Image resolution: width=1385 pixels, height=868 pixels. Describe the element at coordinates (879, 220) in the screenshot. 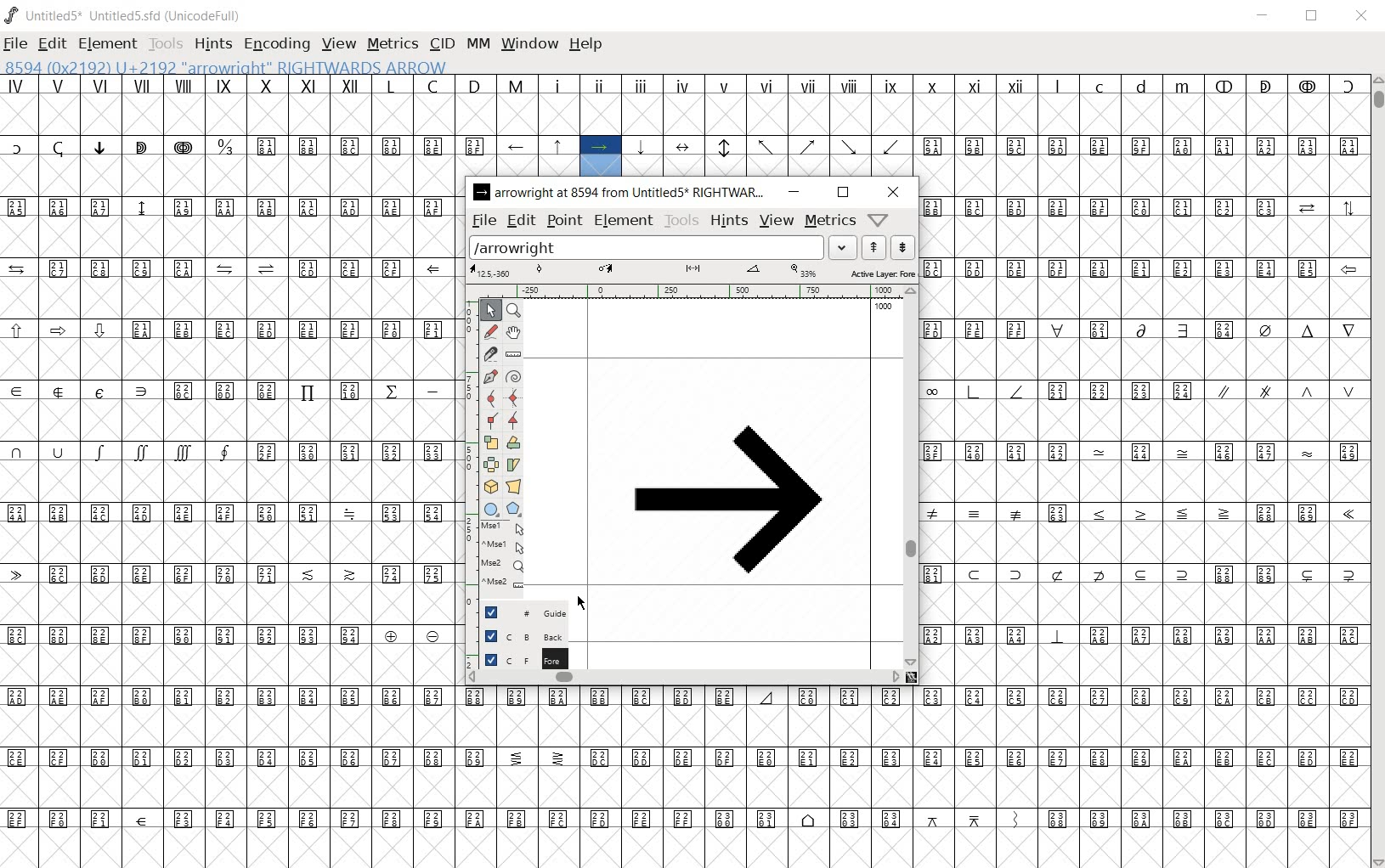

I see `Help/Window` at that location.